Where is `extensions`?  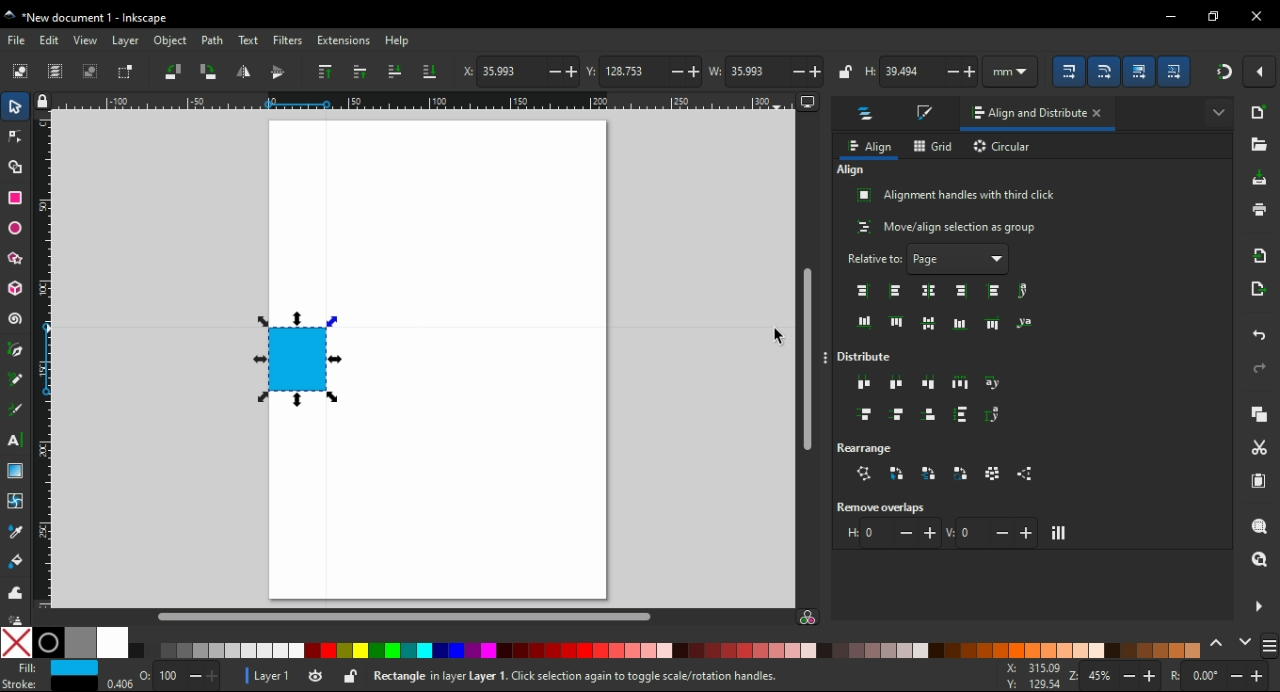 extensions is located at coordinates (345, 41).